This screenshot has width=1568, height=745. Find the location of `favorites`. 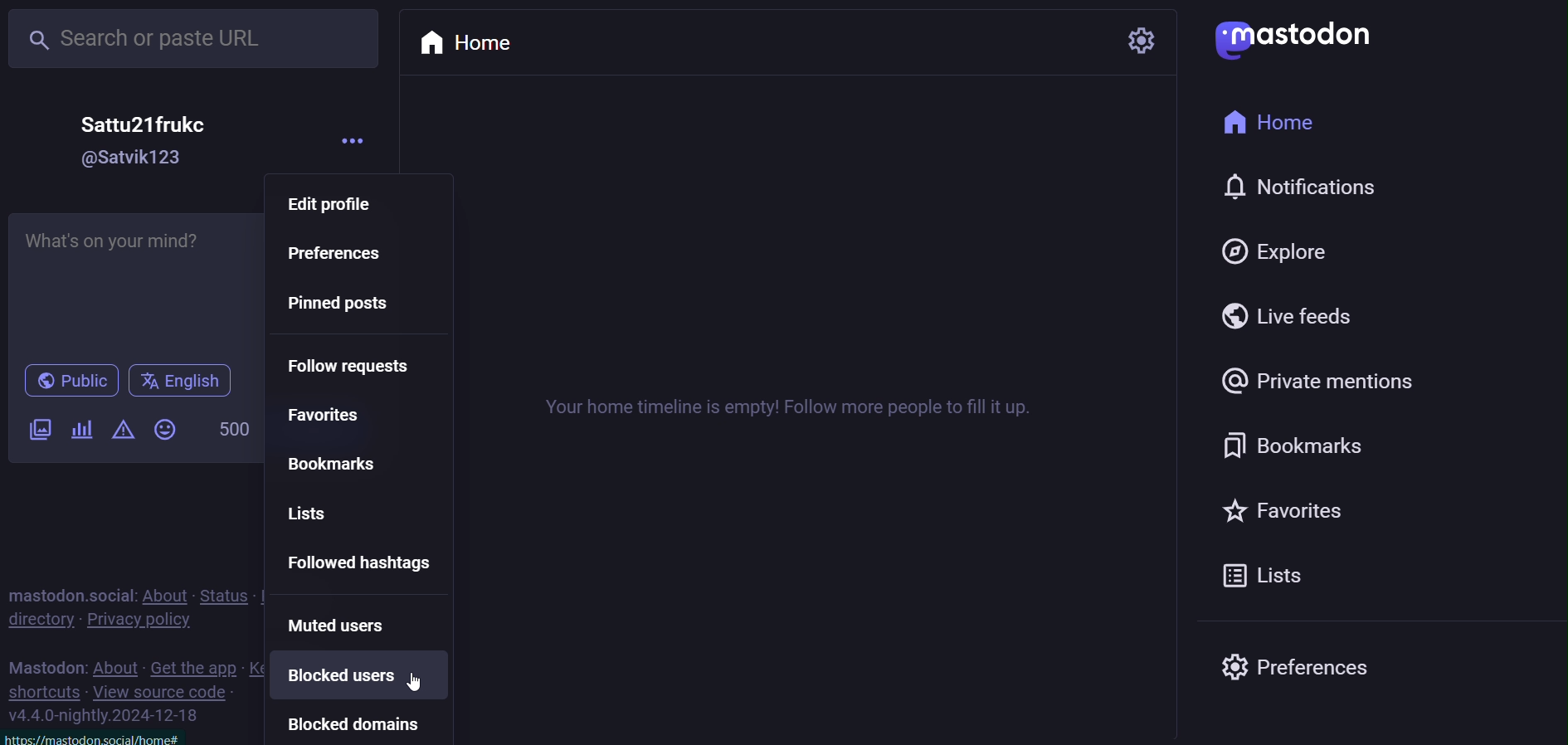

favorites is located at coordinates (1312, 516).